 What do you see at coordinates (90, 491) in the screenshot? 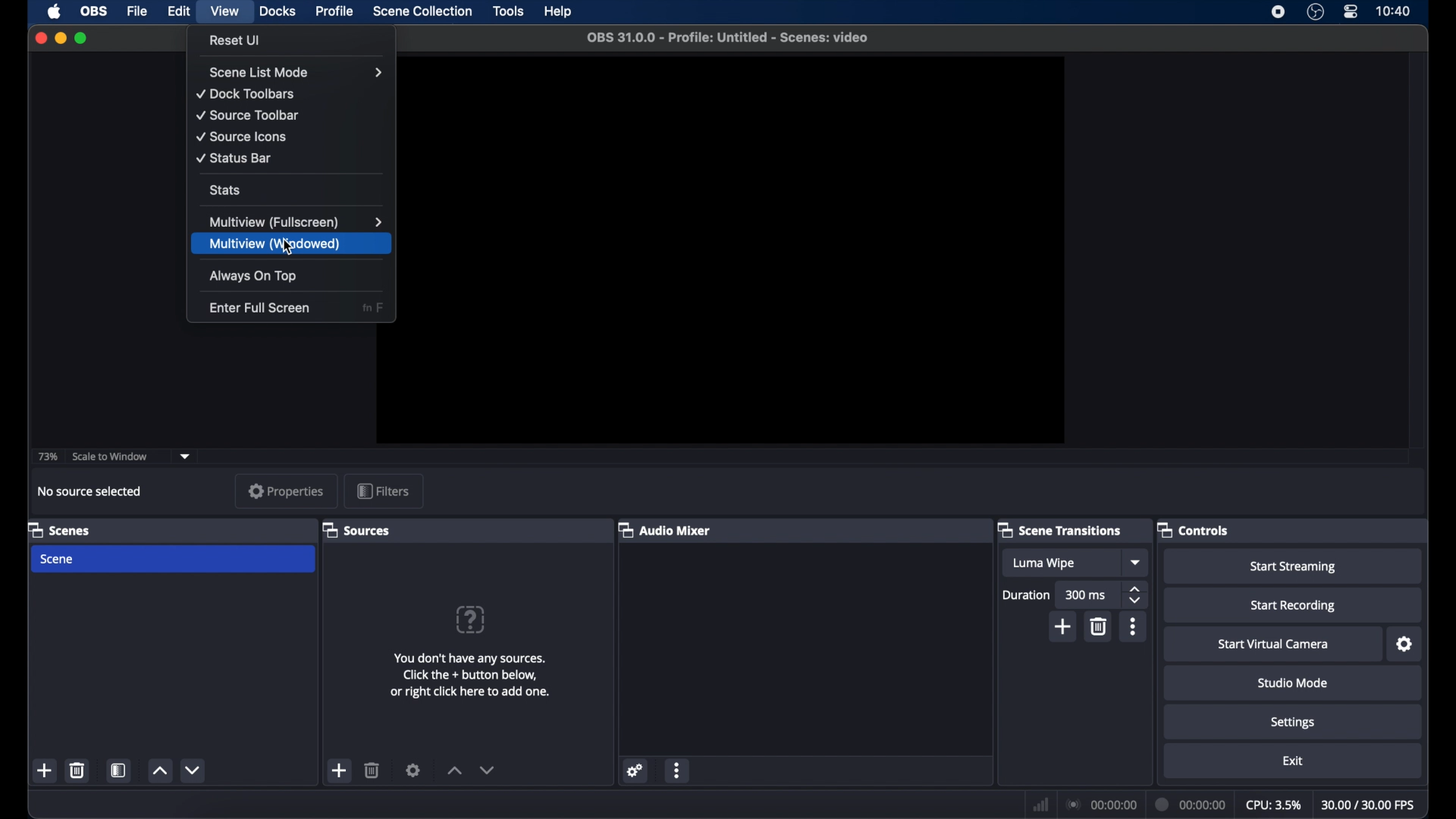
I see `no source selected` at bounding box center [90, 491].